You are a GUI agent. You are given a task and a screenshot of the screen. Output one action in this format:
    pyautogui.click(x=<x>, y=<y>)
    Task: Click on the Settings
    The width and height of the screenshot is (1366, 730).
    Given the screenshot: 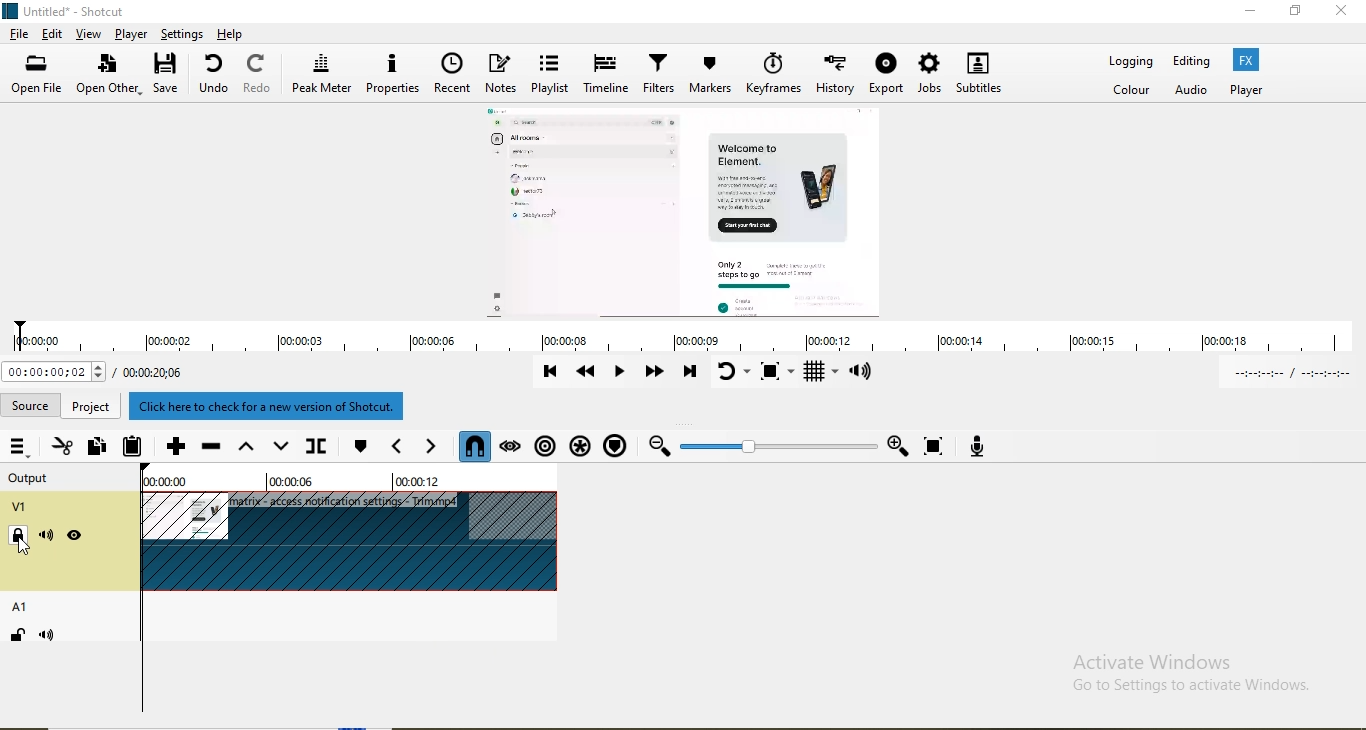 What is the action you would take?
    pyautogui.click(x=182, y=33)
    